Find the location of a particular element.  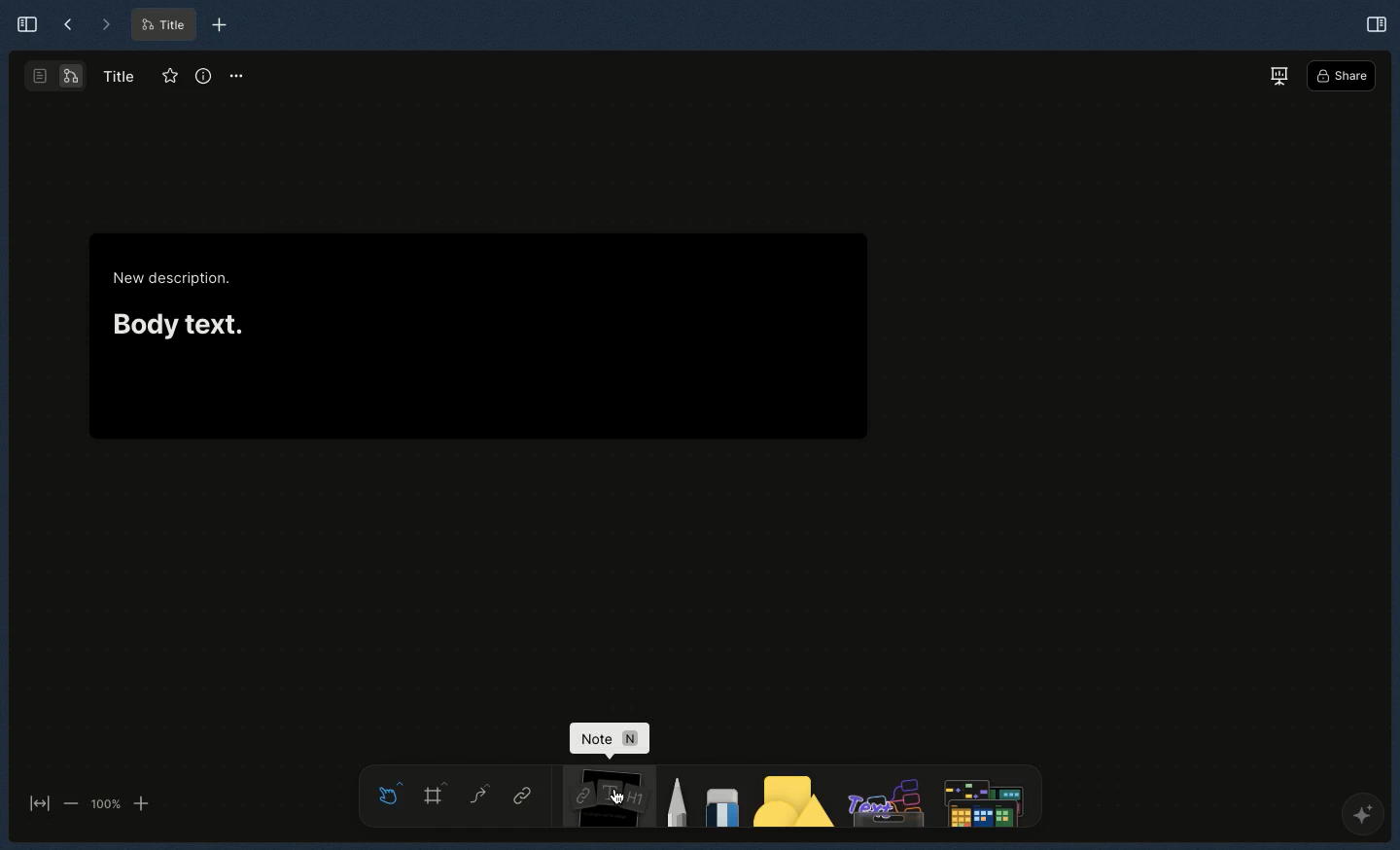

Options is located at coordinates (237, 75).